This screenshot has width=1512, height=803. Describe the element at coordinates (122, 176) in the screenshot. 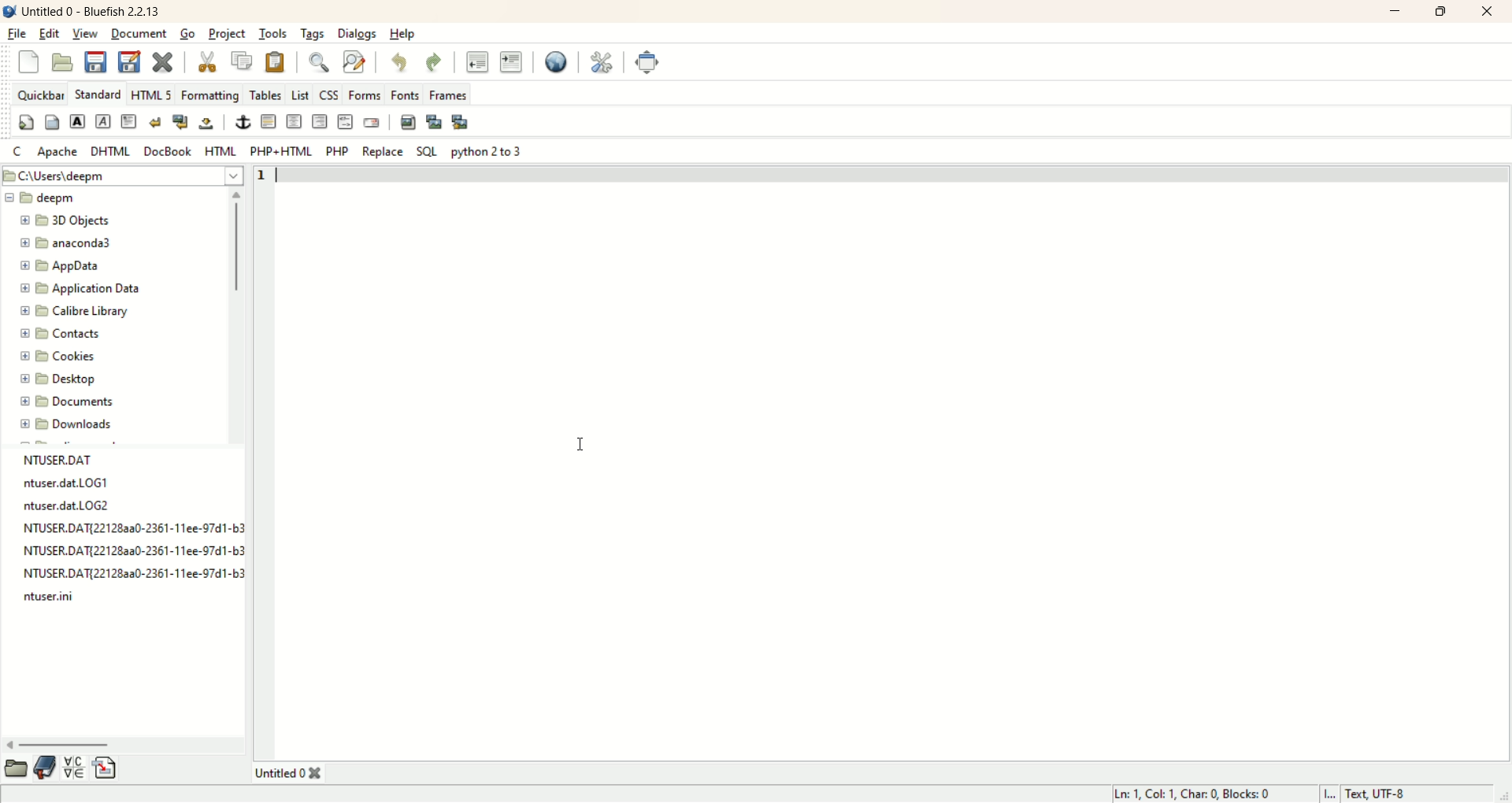

I see `location` at that location.